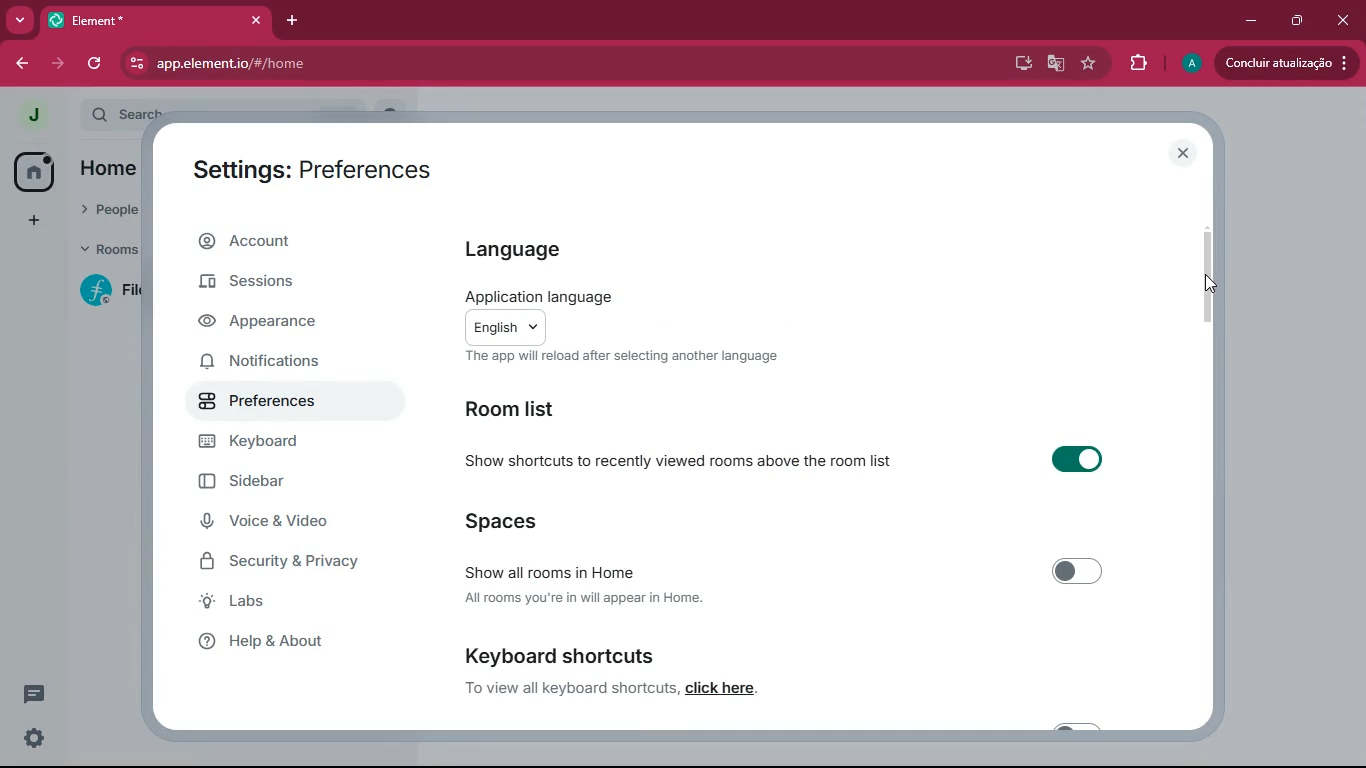 The width and height of the screenshot is (1366, 768). I want to click on add tab, so click(294, 20).